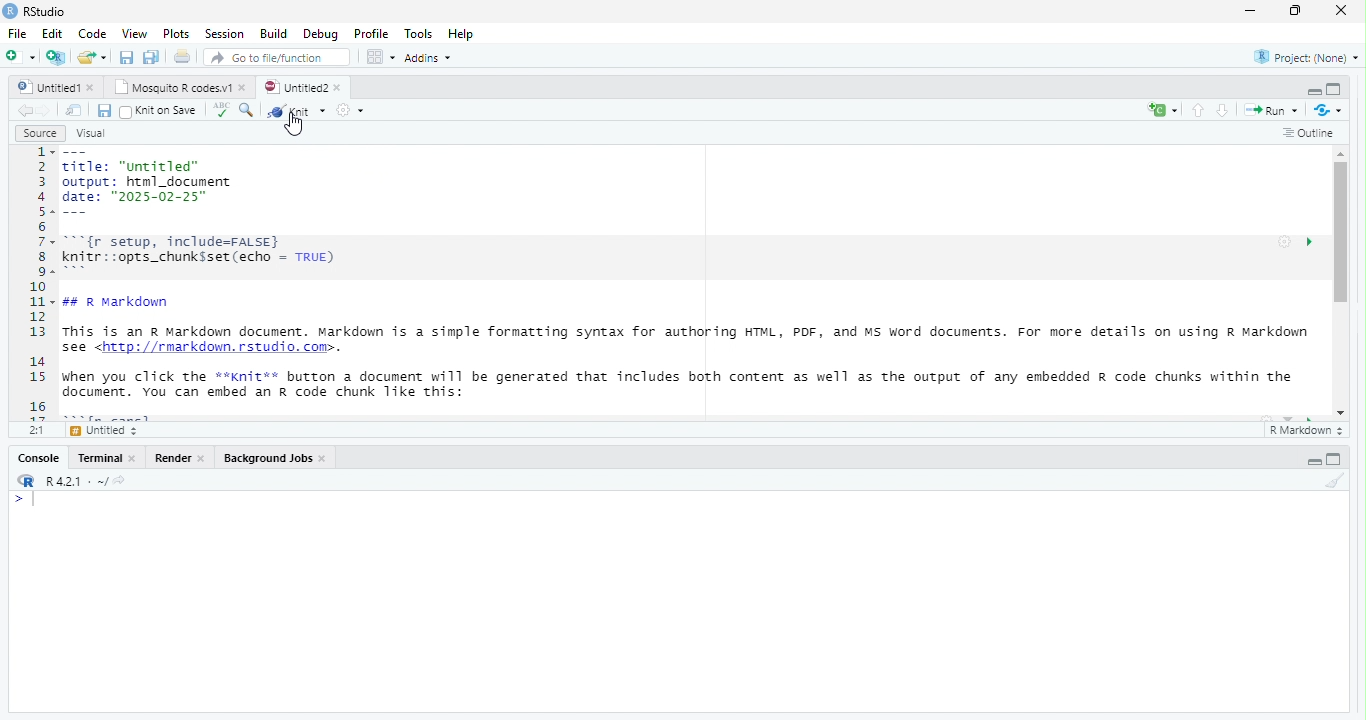 The width and height of the screenshot is (1366, 720). I want to click on Knit on Save, so click(168, 111).